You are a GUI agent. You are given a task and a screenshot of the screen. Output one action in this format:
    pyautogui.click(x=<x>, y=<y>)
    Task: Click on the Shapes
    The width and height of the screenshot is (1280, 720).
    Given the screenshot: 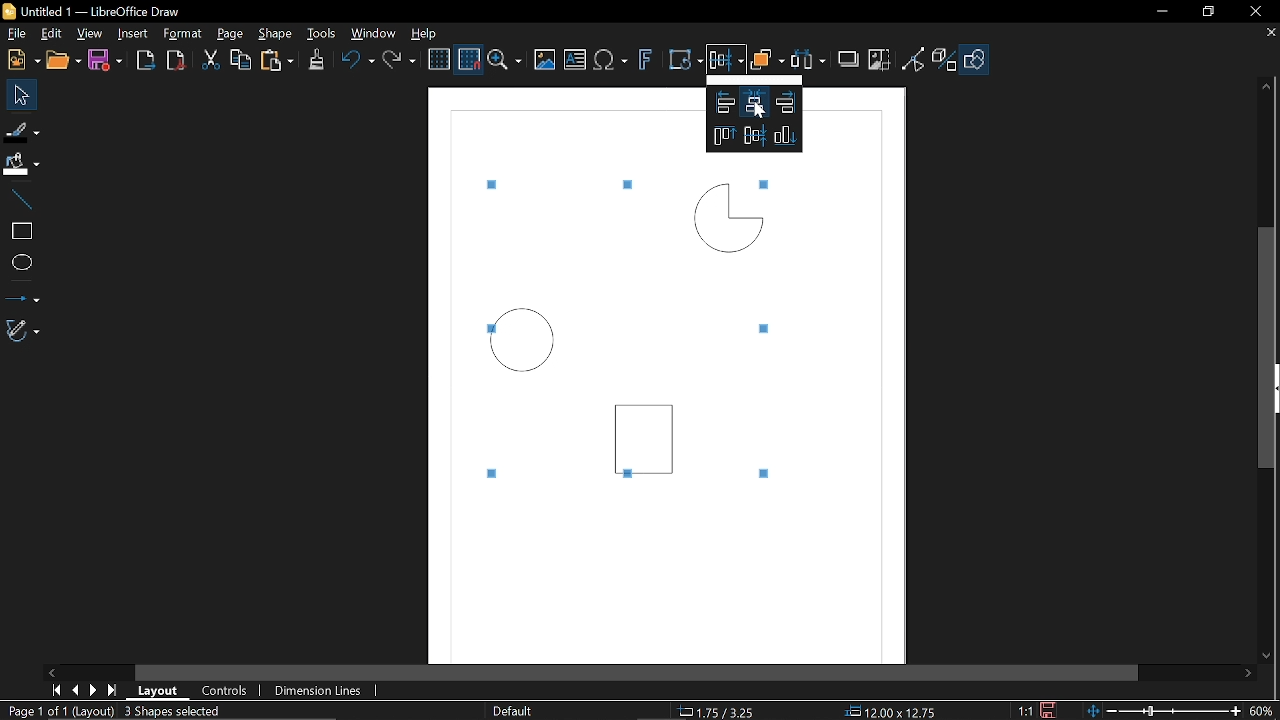 What is the action you would take?
    pyautogui.click(x=978, y=60)
    